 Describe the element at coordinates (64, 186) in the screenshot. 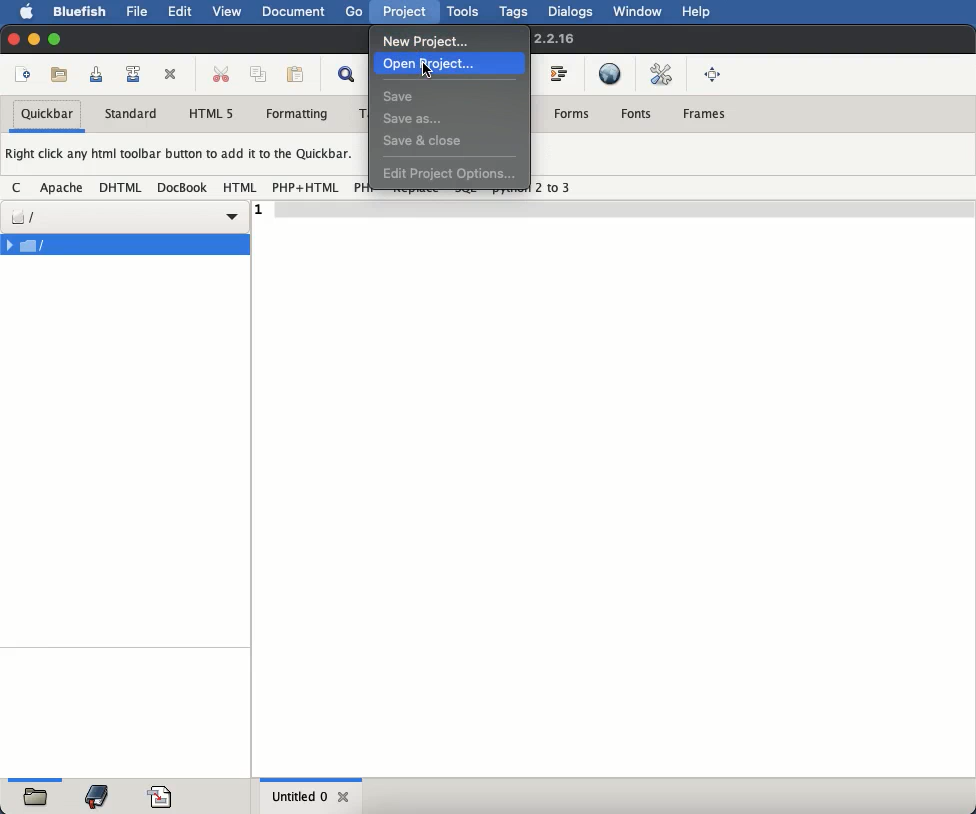

I see `apache` at that location.